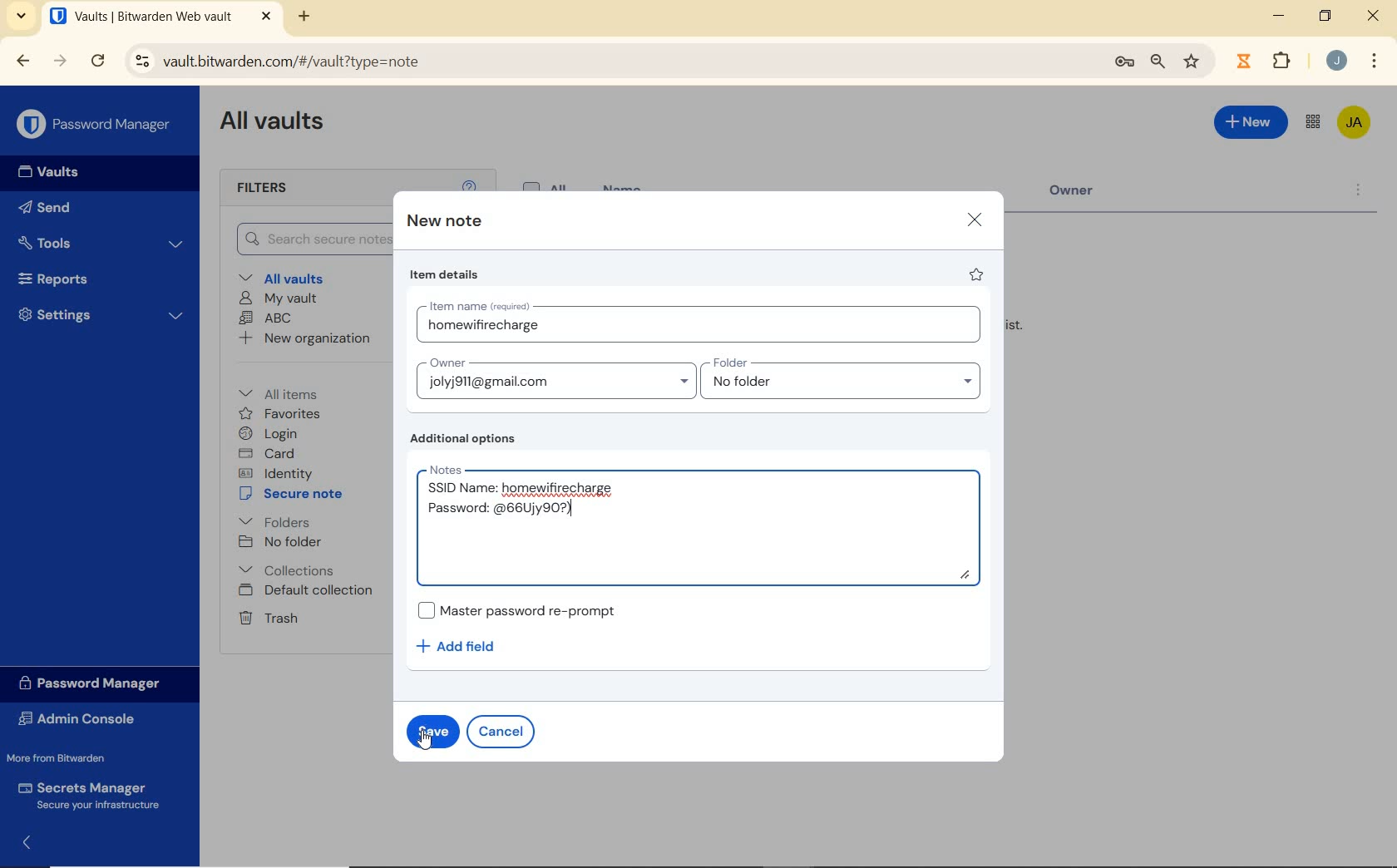 The width and height of the screenshot is (1397, 868). I want to click on restore, so click(1325, 16).